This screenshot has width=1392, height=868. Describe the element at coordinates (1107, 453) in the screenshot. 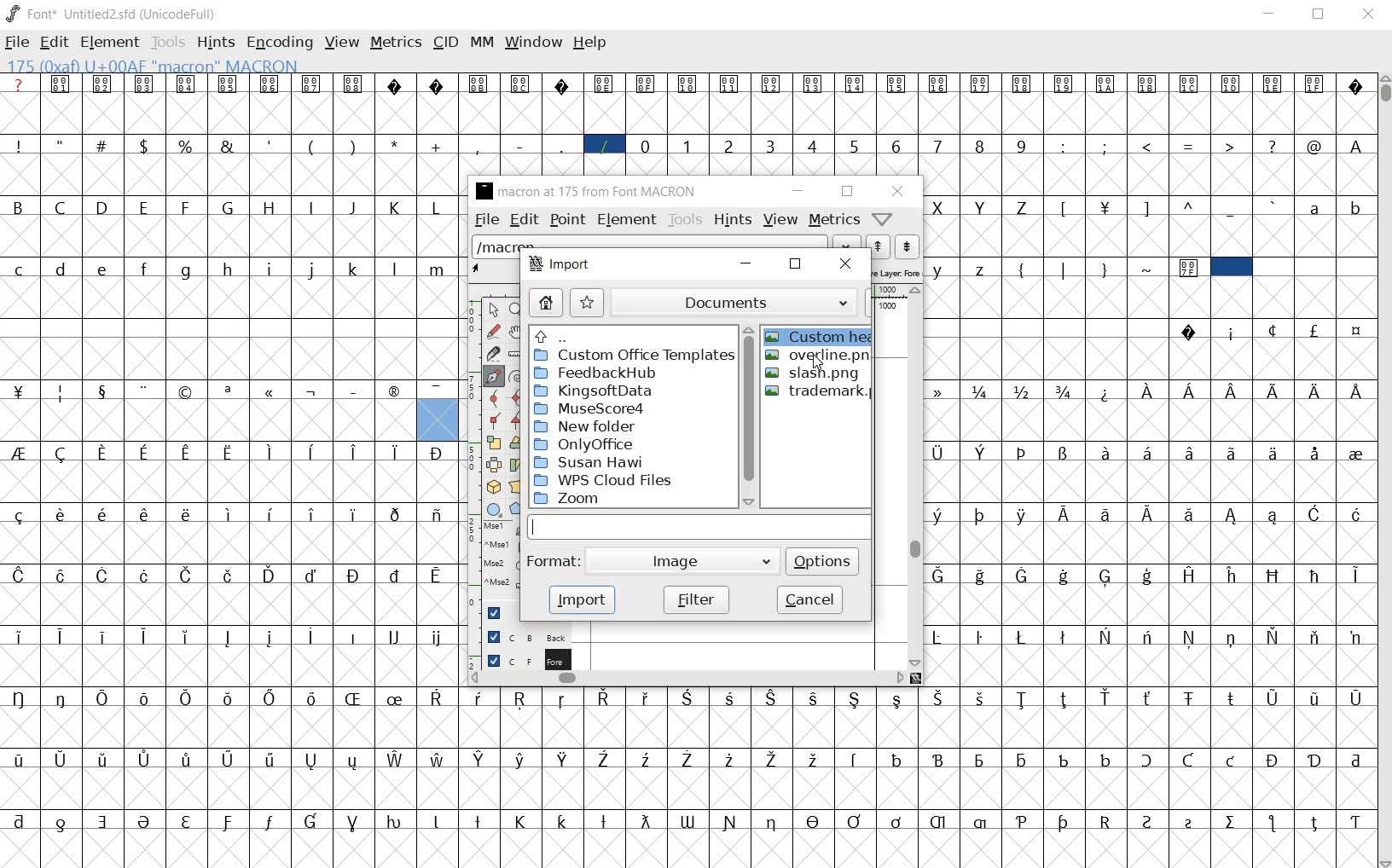

I see `Symbol` at that location.